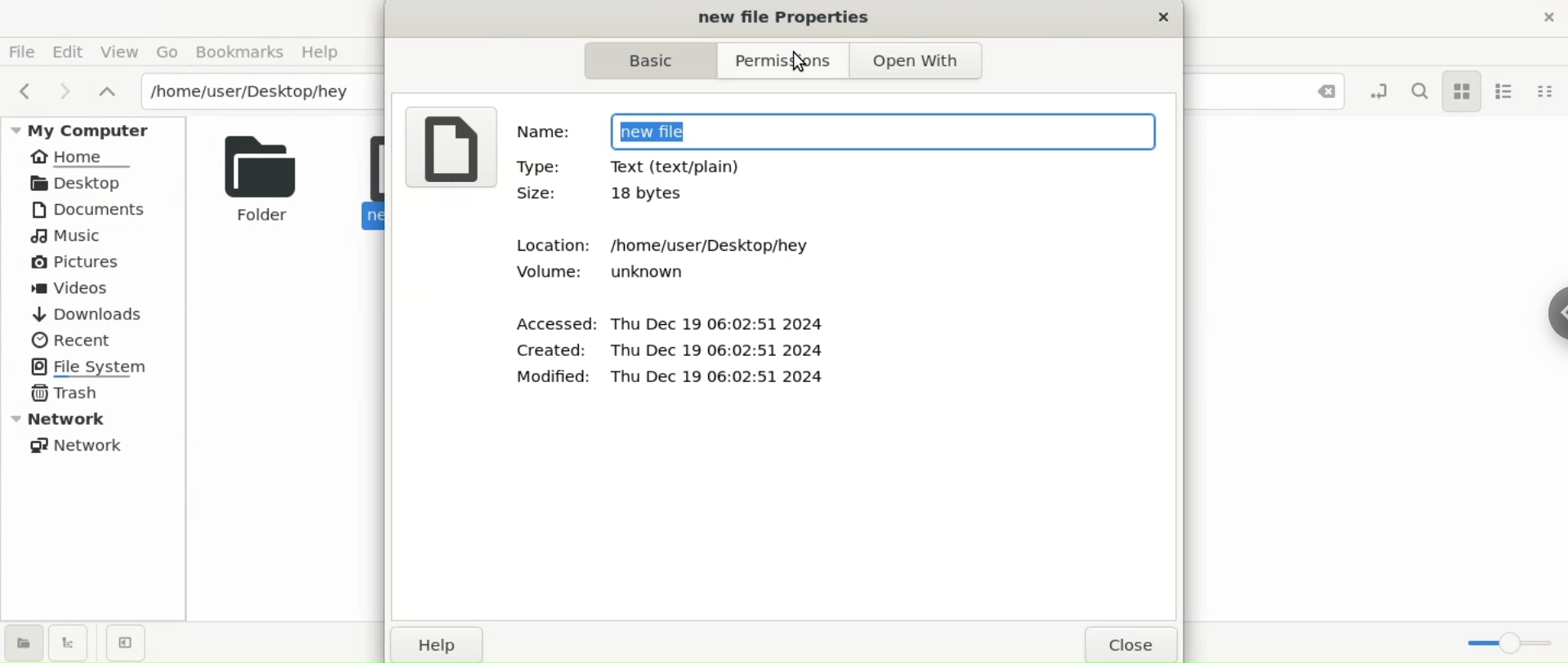  I want to click on Type: Text(text/plain), so click(681, 168).